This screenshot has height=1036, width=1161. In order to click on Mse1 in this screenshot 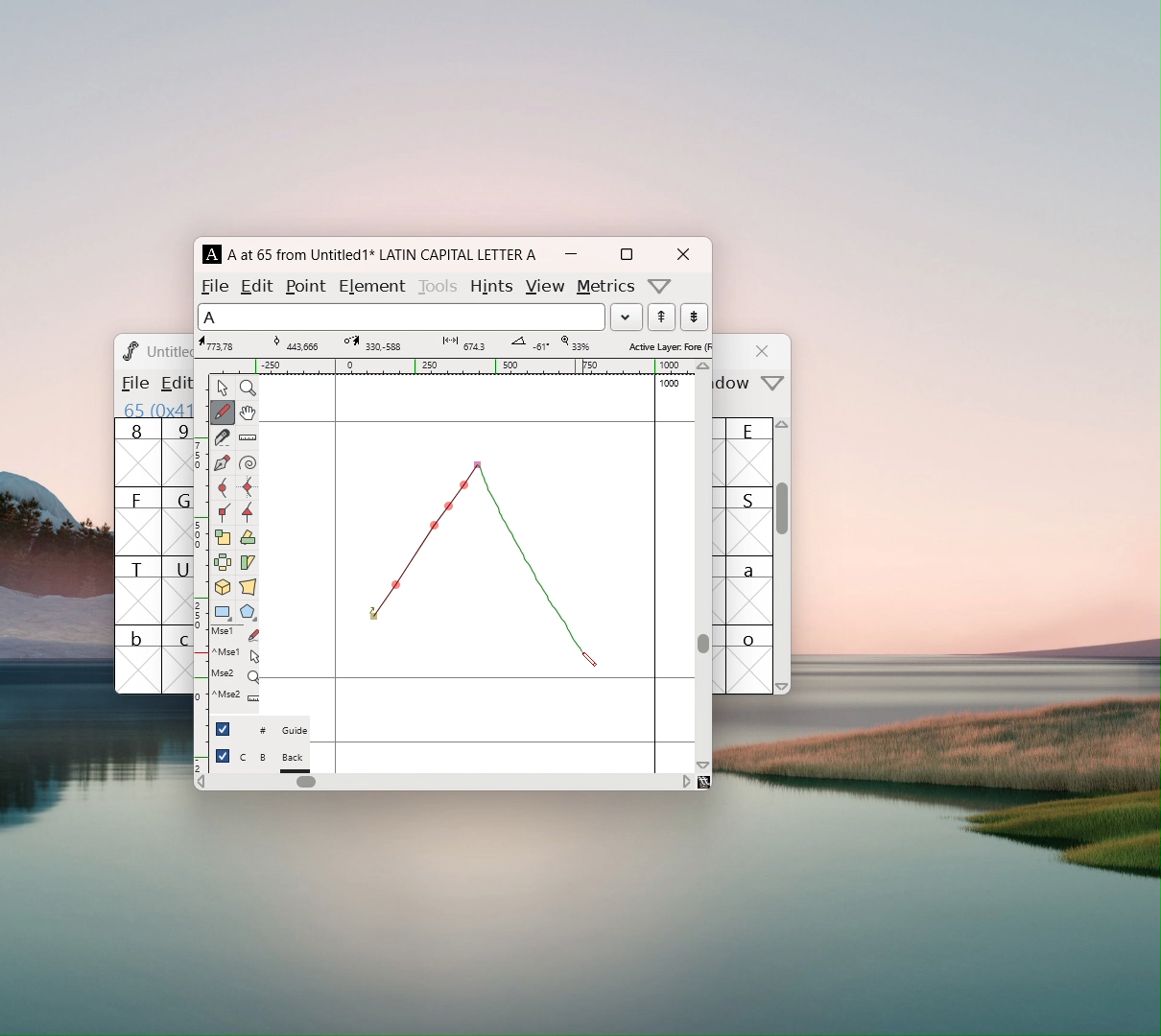, I will do `click(237, 634)`.